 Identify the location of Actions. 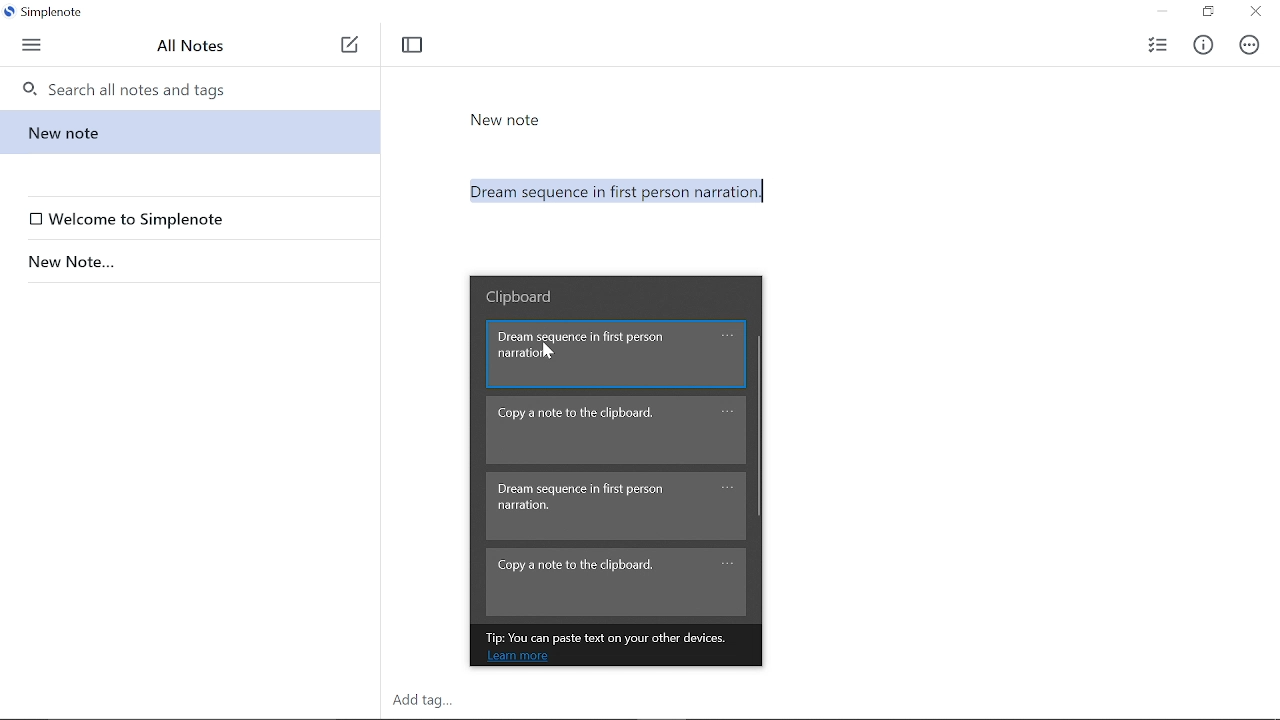
(1250, 45).